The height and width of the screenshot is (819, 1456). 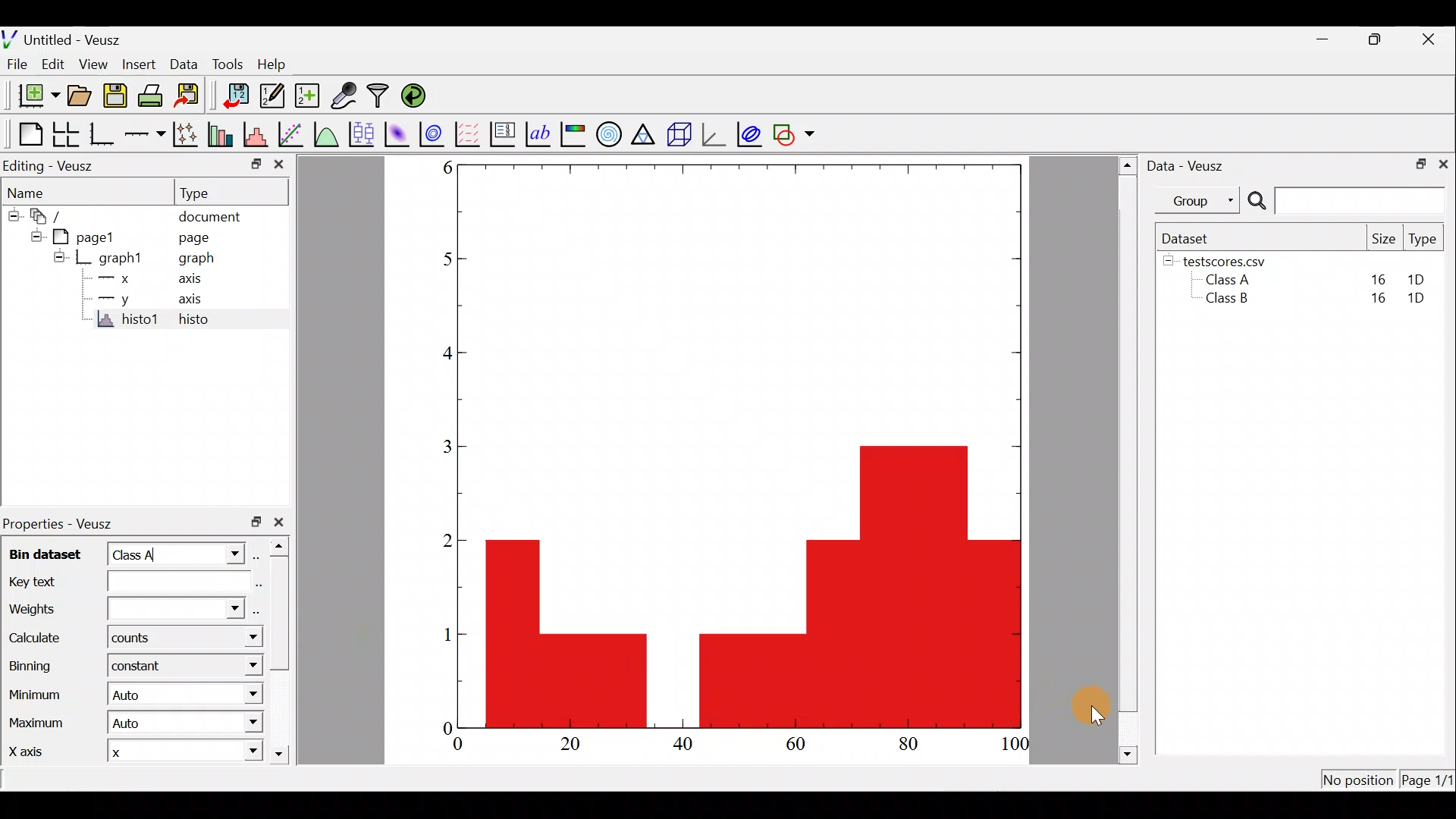 I want to click on Data - Veusz, so click(x=1194, y=165).